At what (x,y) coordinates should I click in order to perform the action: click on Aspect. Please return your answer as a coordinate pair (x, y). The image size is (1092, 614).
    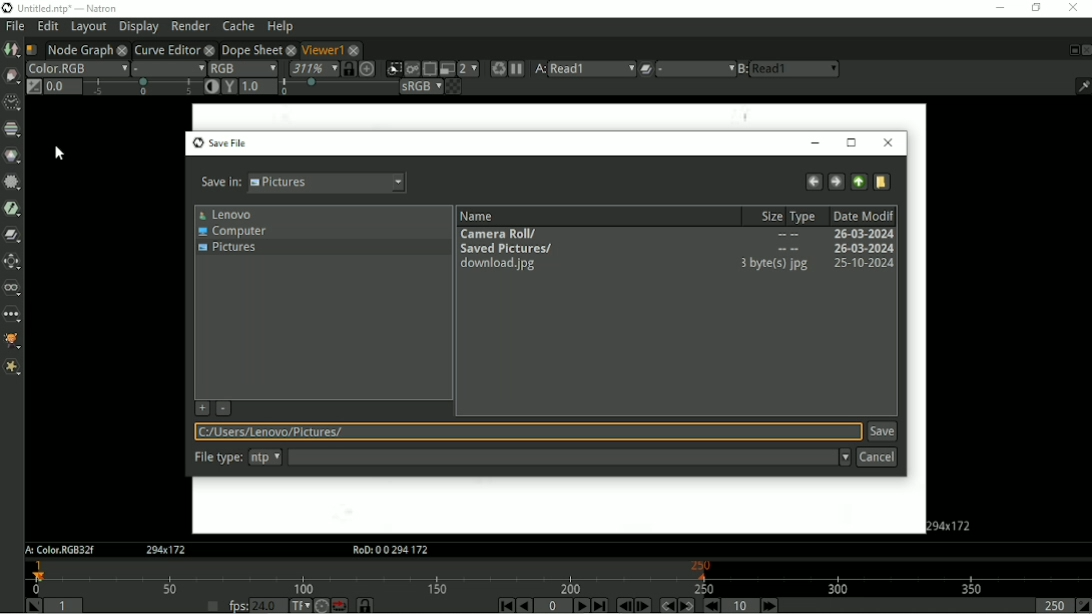
    Looking at the image, I should click on (166, 551).